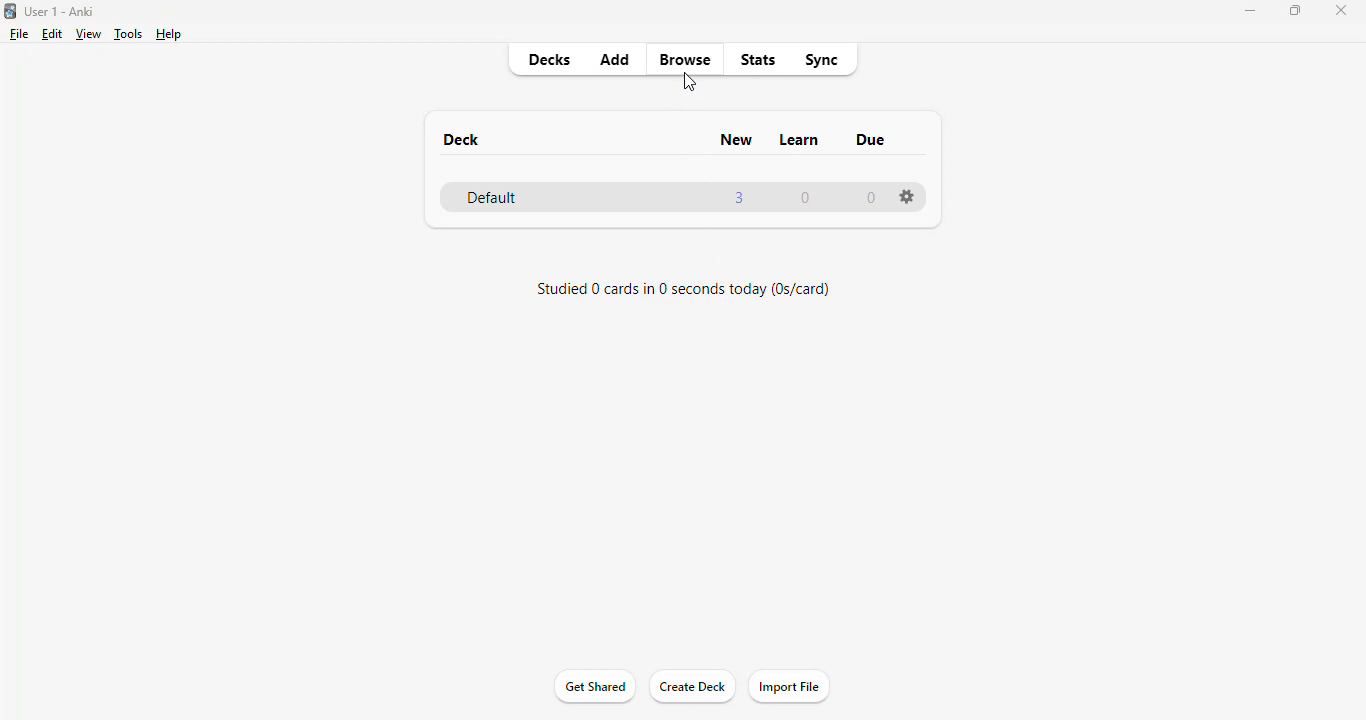 The width and height of the screenshot is (1366, 720). Describe the element at coordinates (615, 58) in the screenshot. I see `add` at that location.